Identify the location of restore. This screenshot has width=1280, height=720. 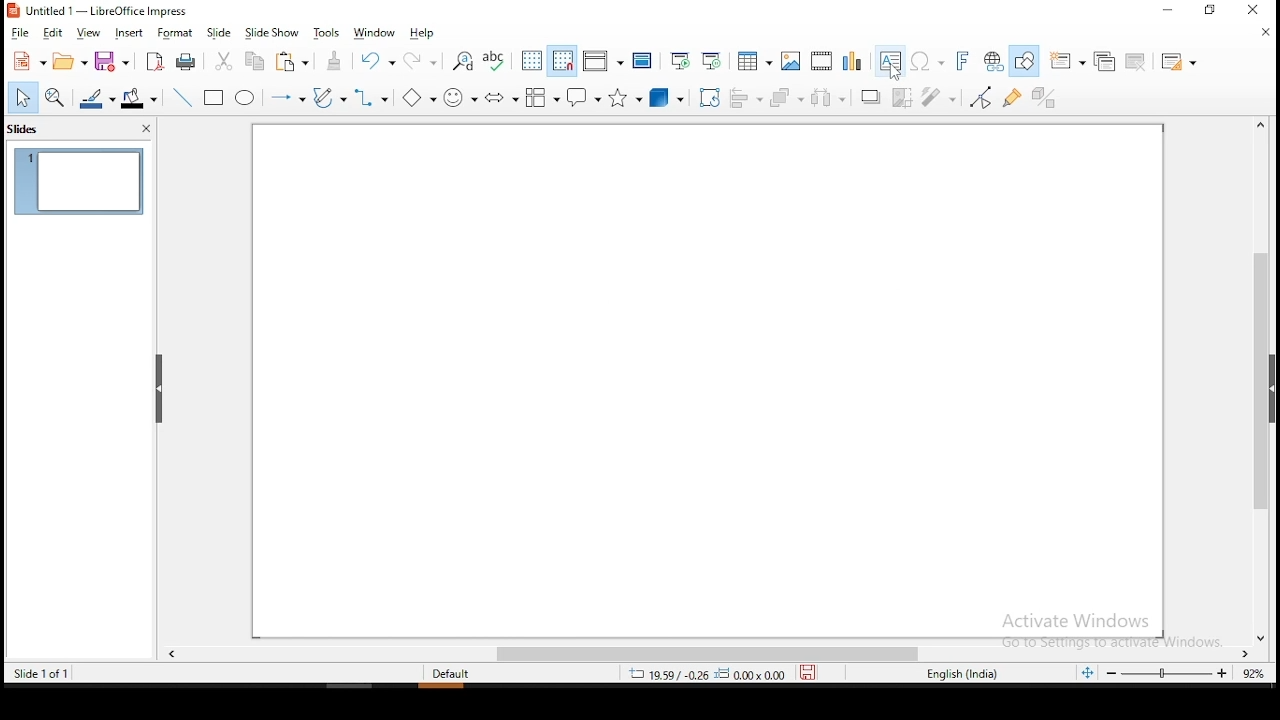
(1207, 11).